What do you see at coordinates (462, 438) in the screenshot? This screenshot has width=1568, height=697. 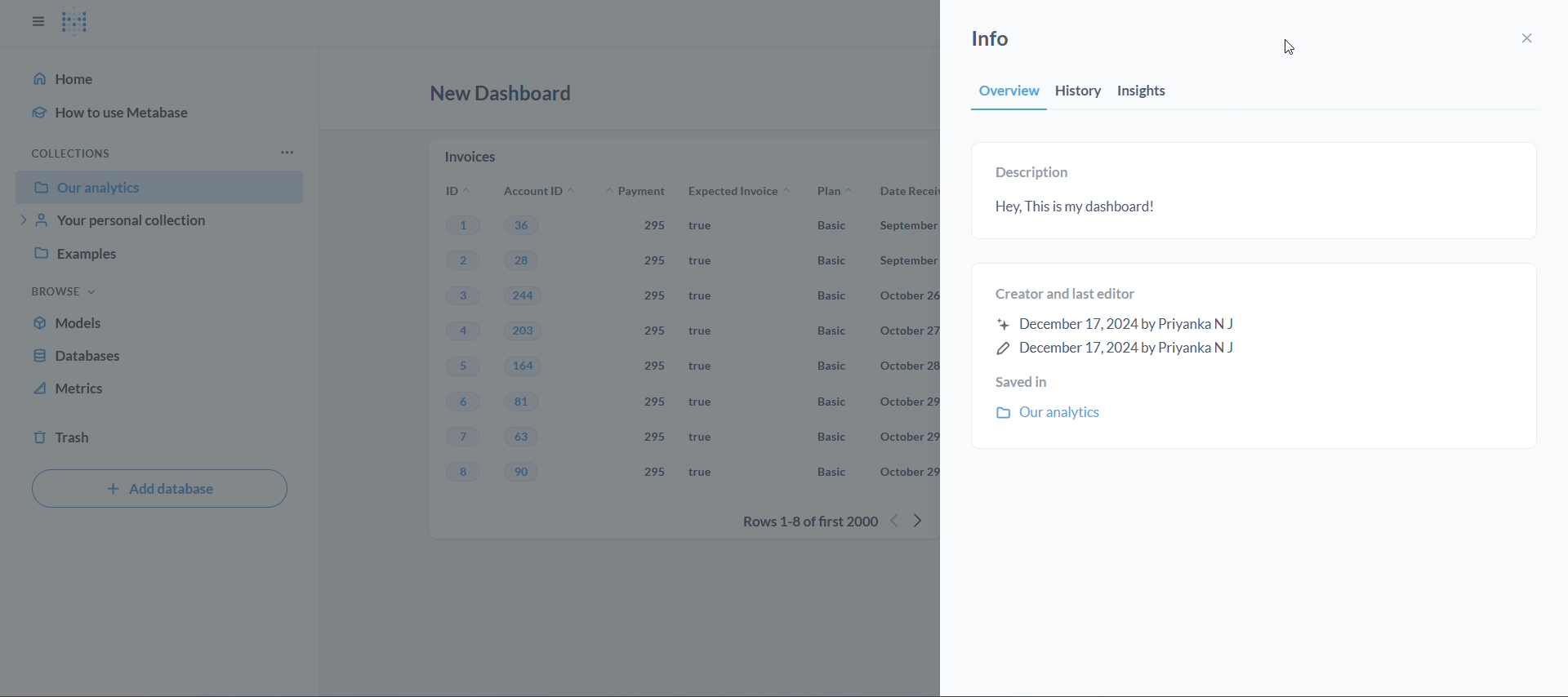 I see `7` at bounding box center [462, 438].